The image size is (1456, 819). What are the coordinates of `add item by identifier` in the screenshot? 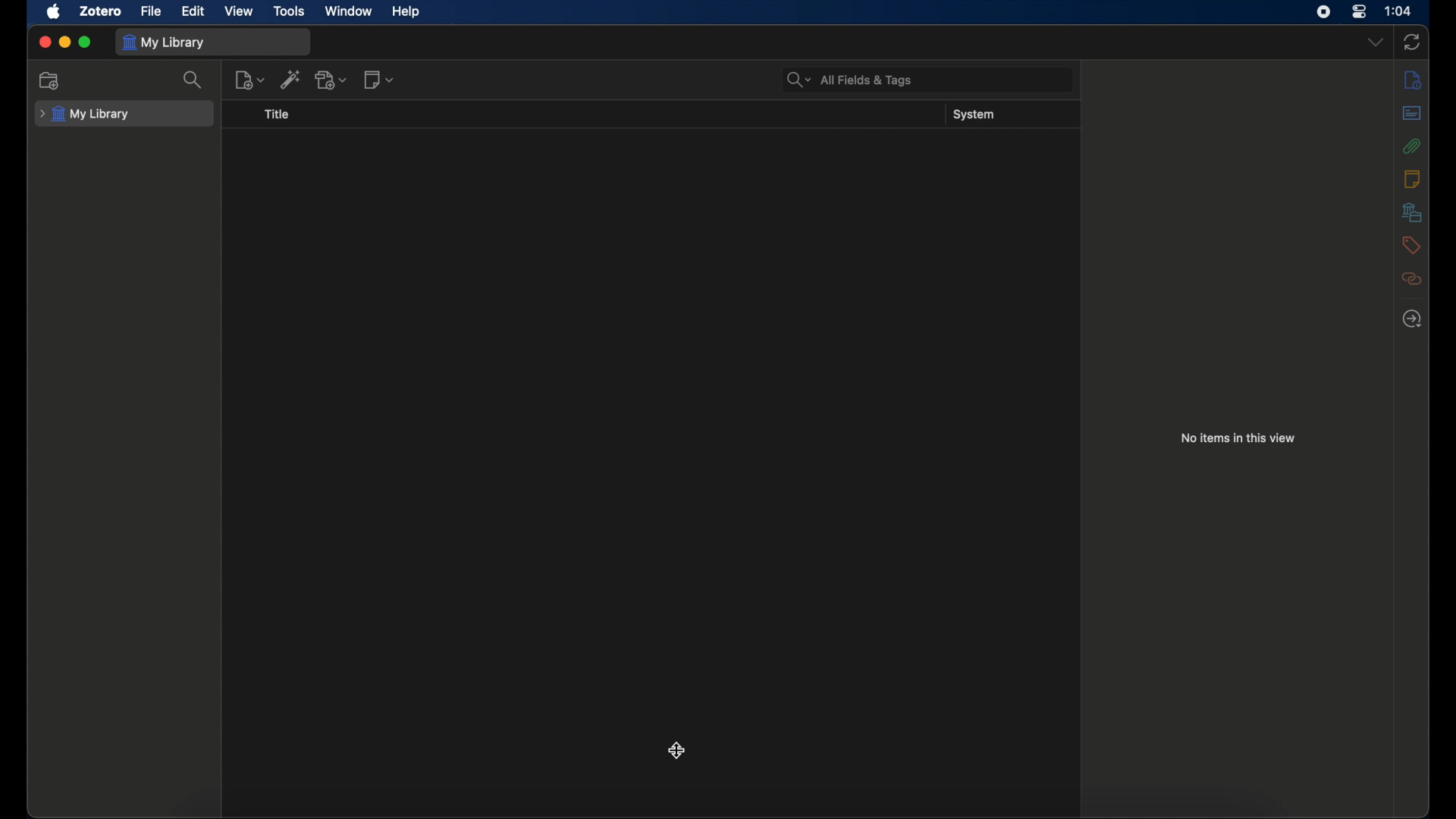 It's located at (291, 79).